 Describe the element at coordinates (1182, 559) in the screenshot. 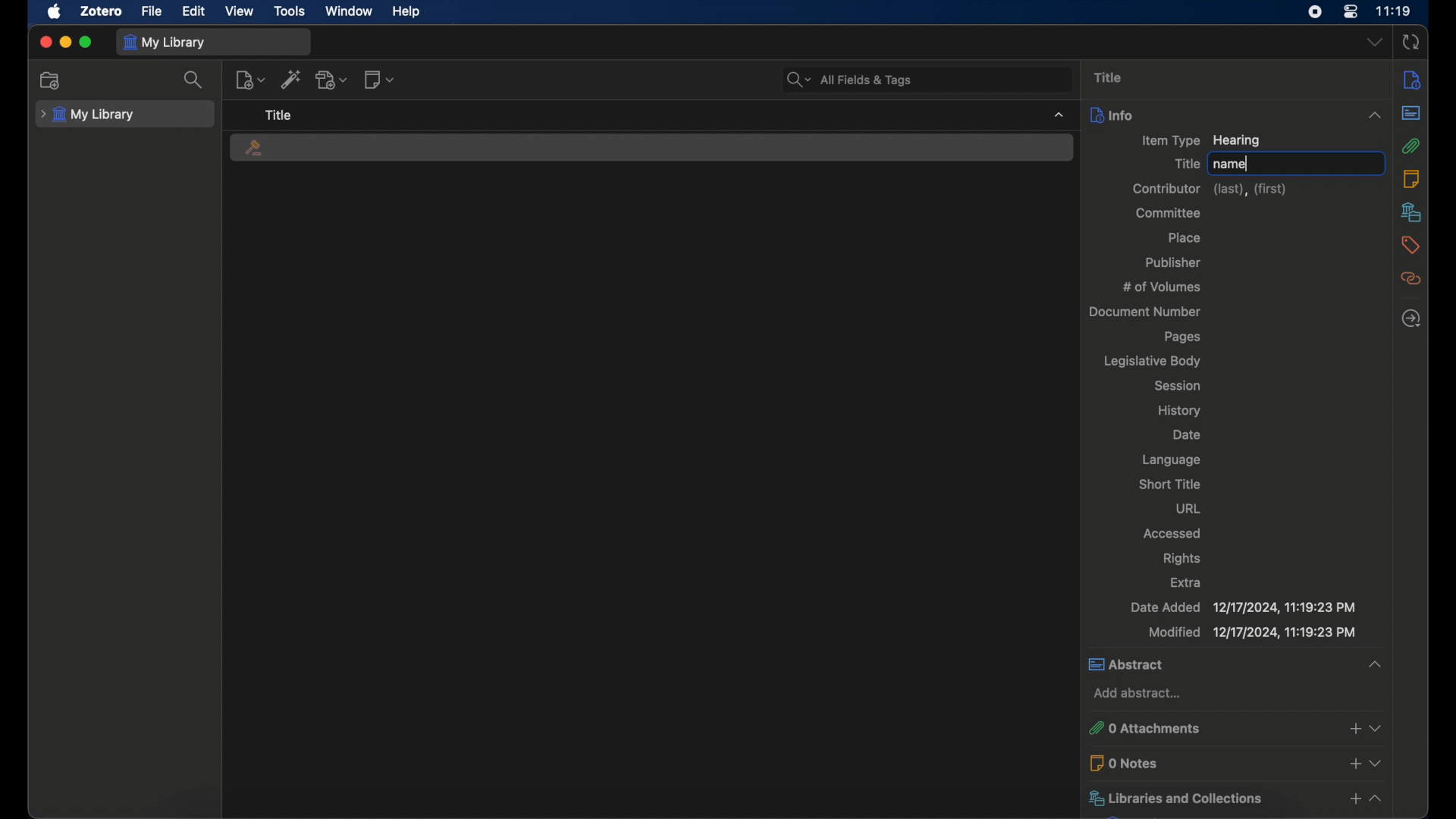

I see `rights` at that location.